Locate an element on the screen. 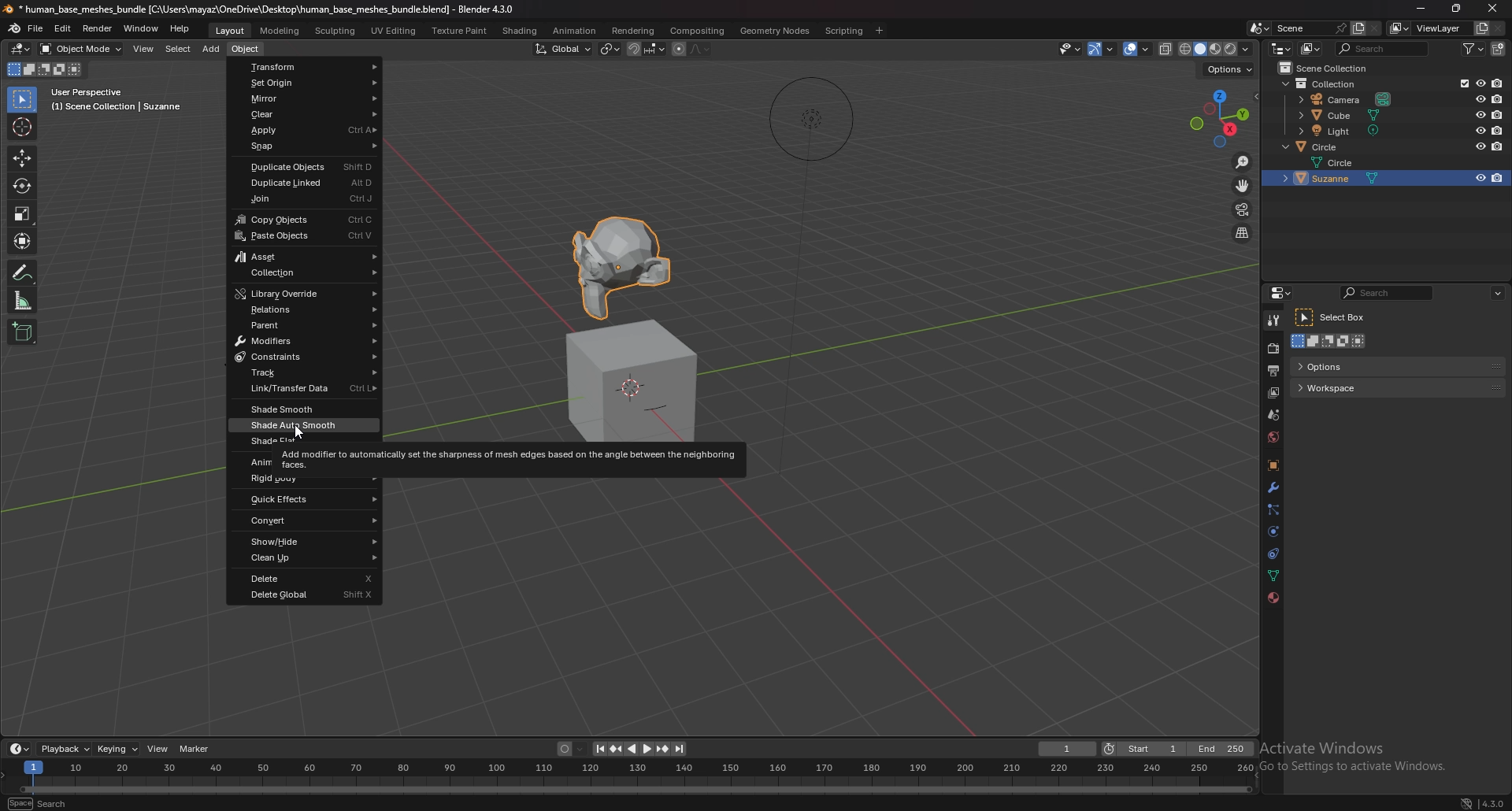 The width and height of the screenshot is (1512, 811). hide in viewport is located at coordinates (1479, 83).